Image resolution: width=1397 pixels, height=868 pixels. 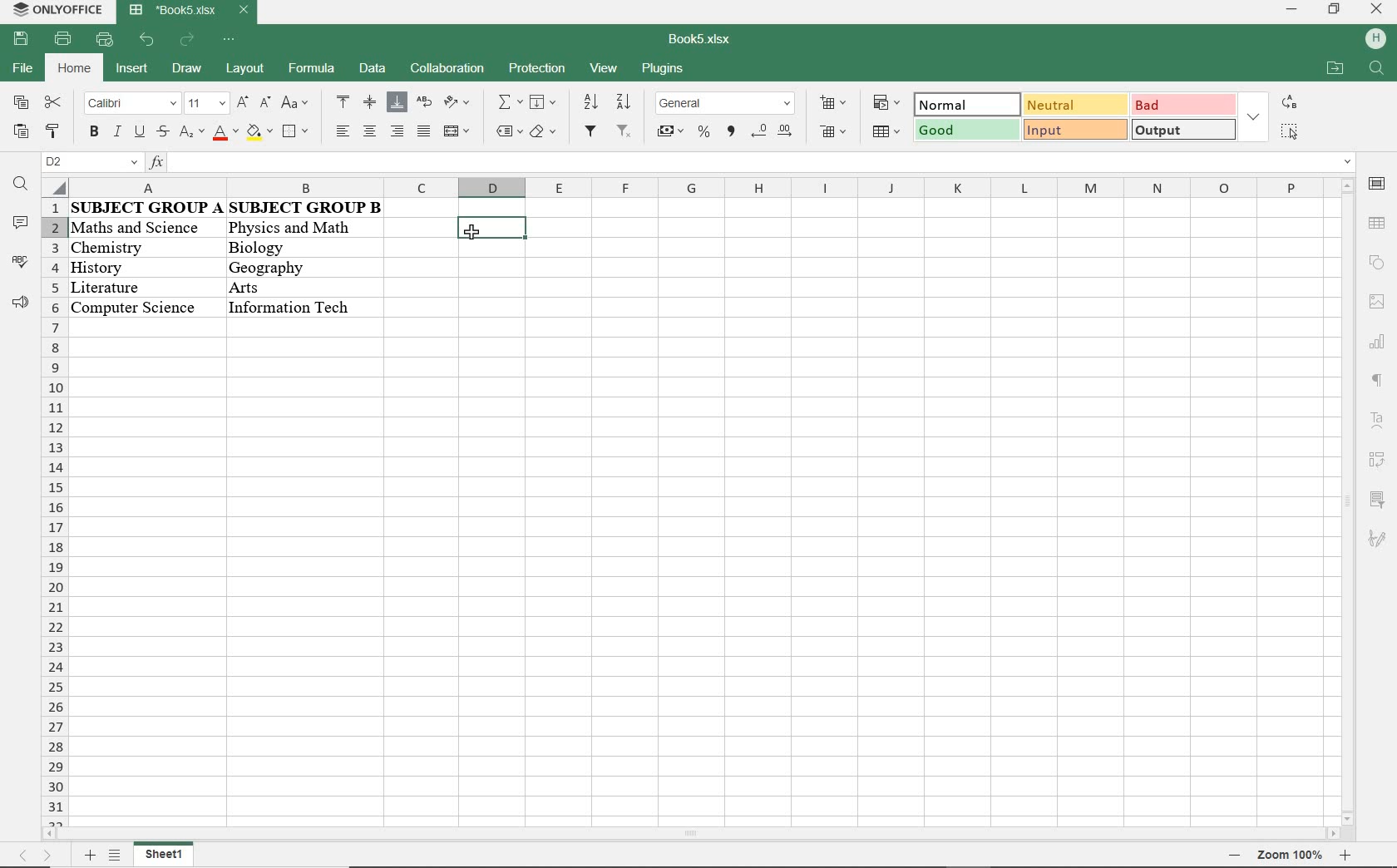 What do you see at coordinates (19, 858) in the screenshot?
I see `previous` at bounding box center [19, 858].